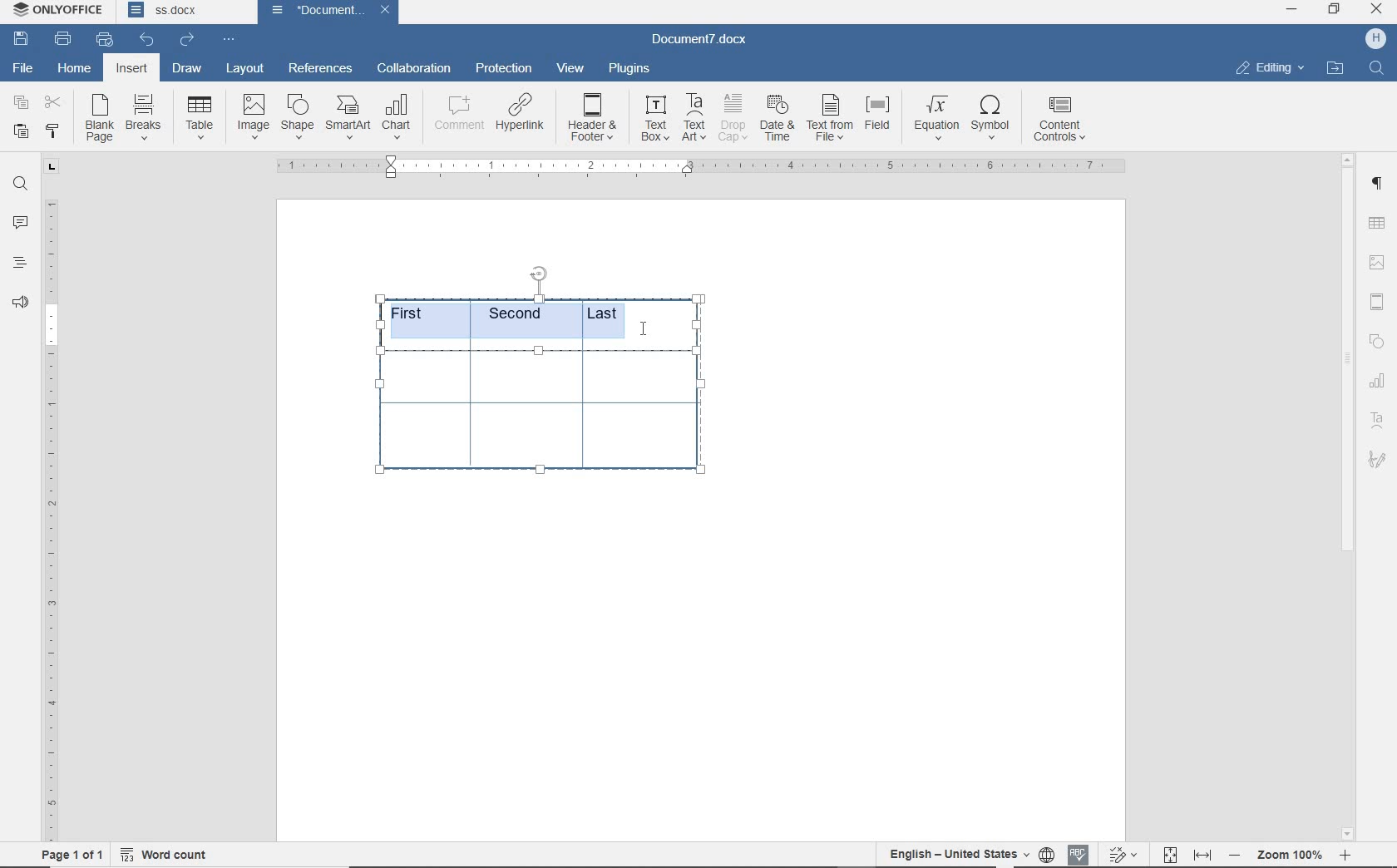  I want to click on protection, so click(503, 69).